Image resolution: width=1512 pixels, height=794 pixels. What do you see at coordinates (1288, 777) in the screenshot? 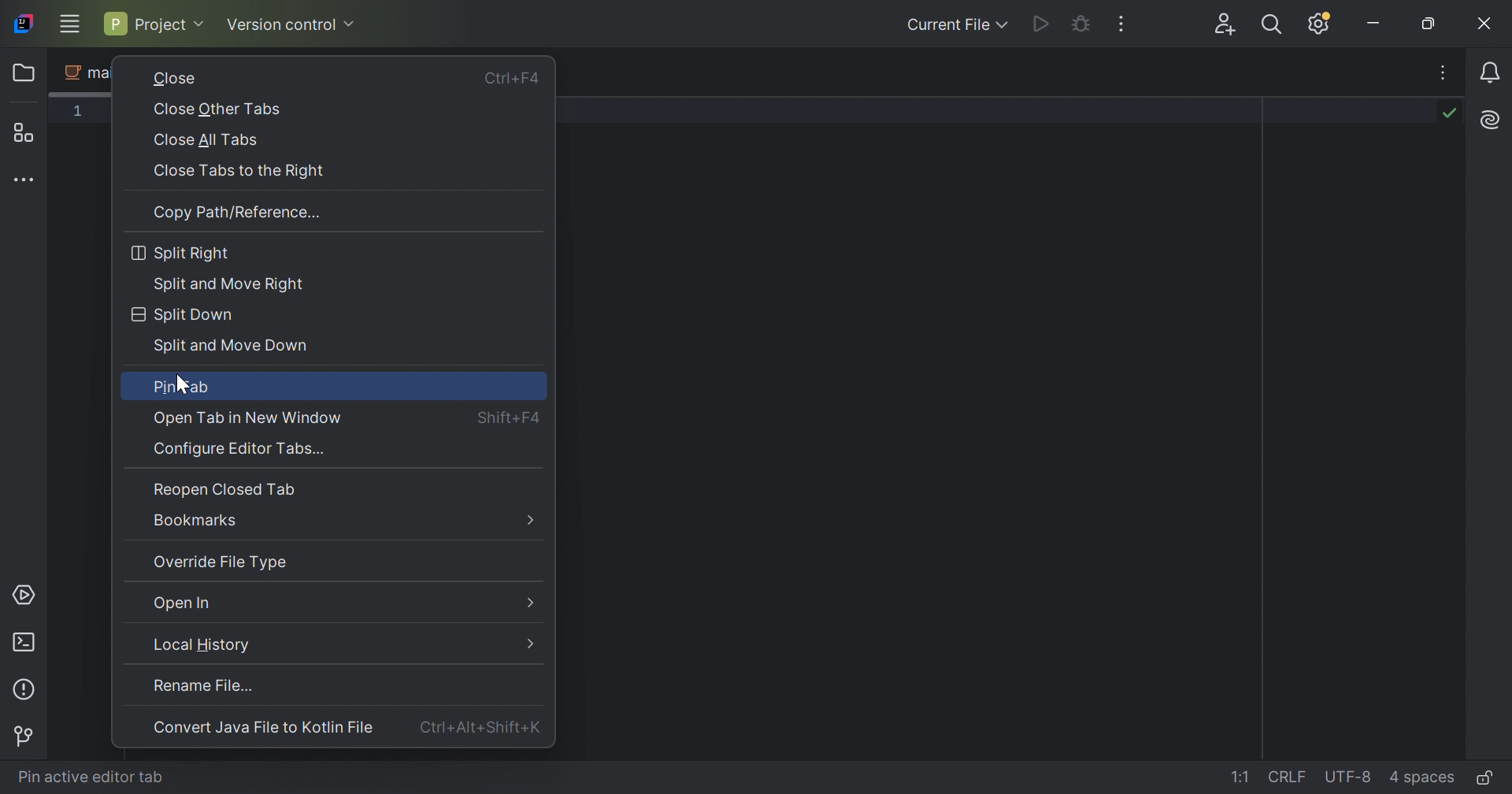
I see `line separator: \r\n` at bounding box center [1288, 777].